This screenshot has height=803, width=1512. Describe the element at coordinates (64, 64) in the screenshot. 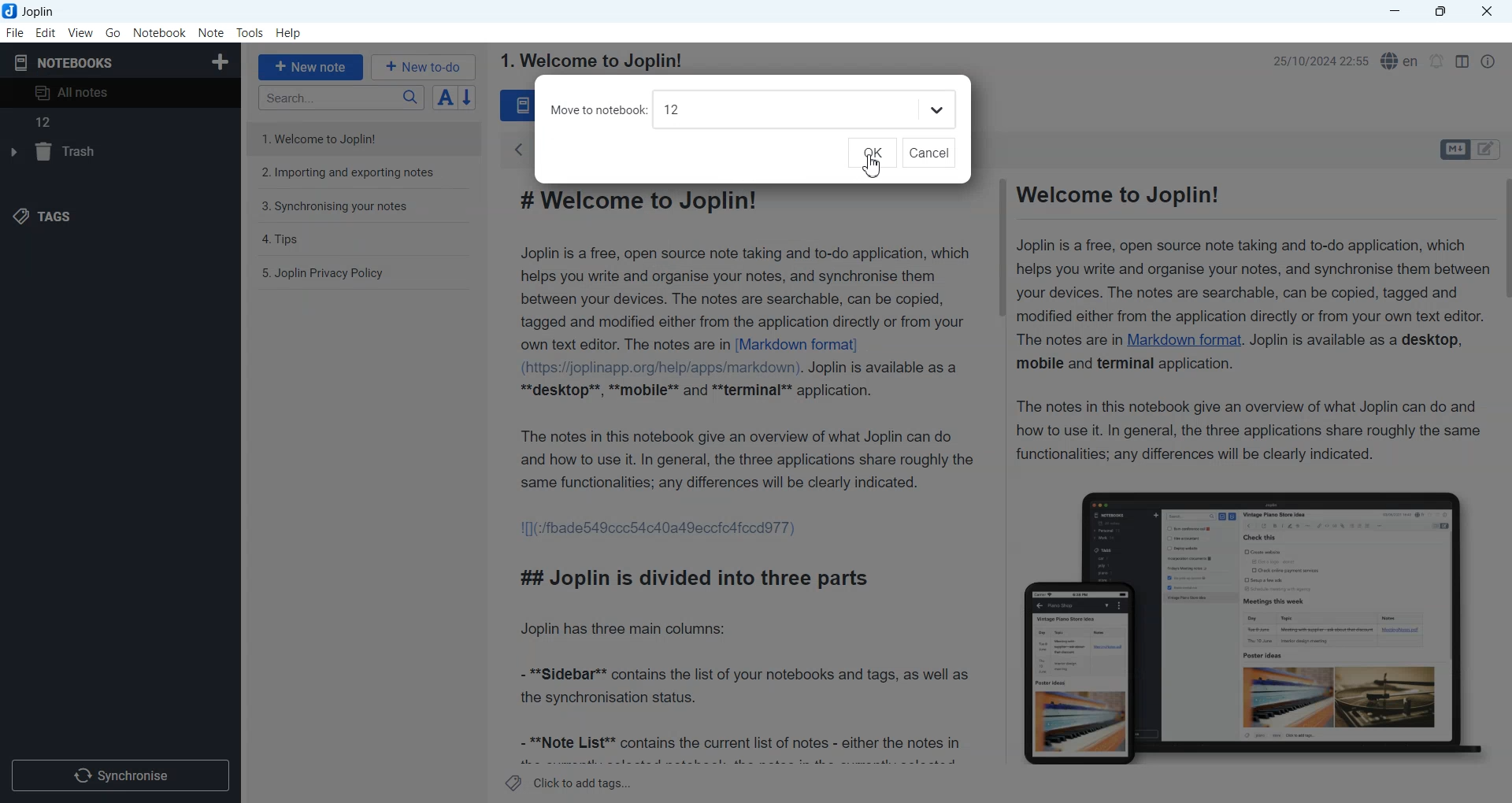

I see `Notebooks` at that location.